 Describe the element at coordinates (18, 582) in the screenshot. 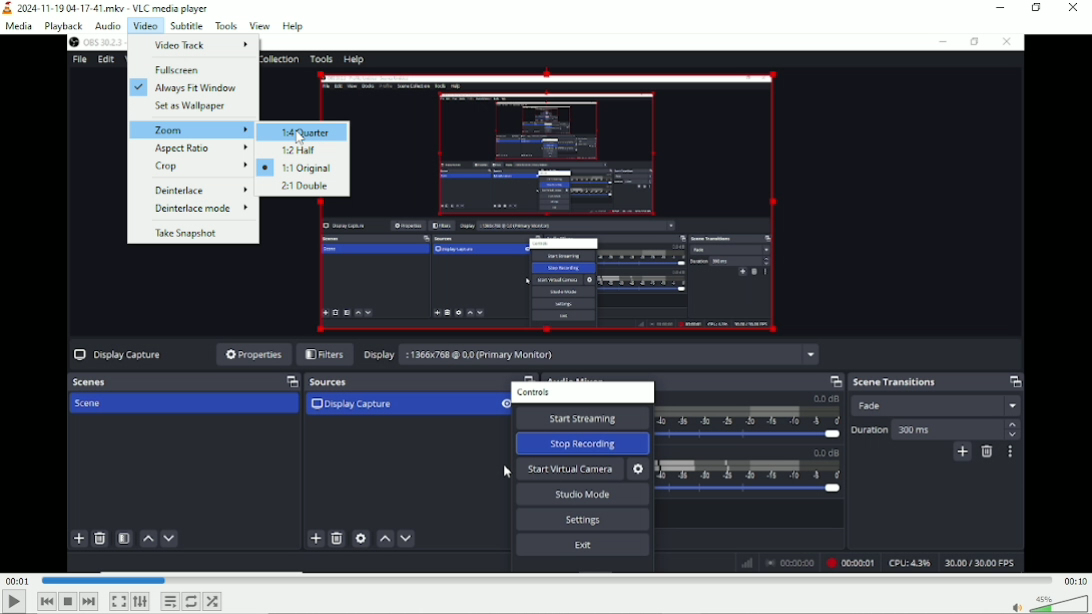

I see `Elapsed time` at that location.